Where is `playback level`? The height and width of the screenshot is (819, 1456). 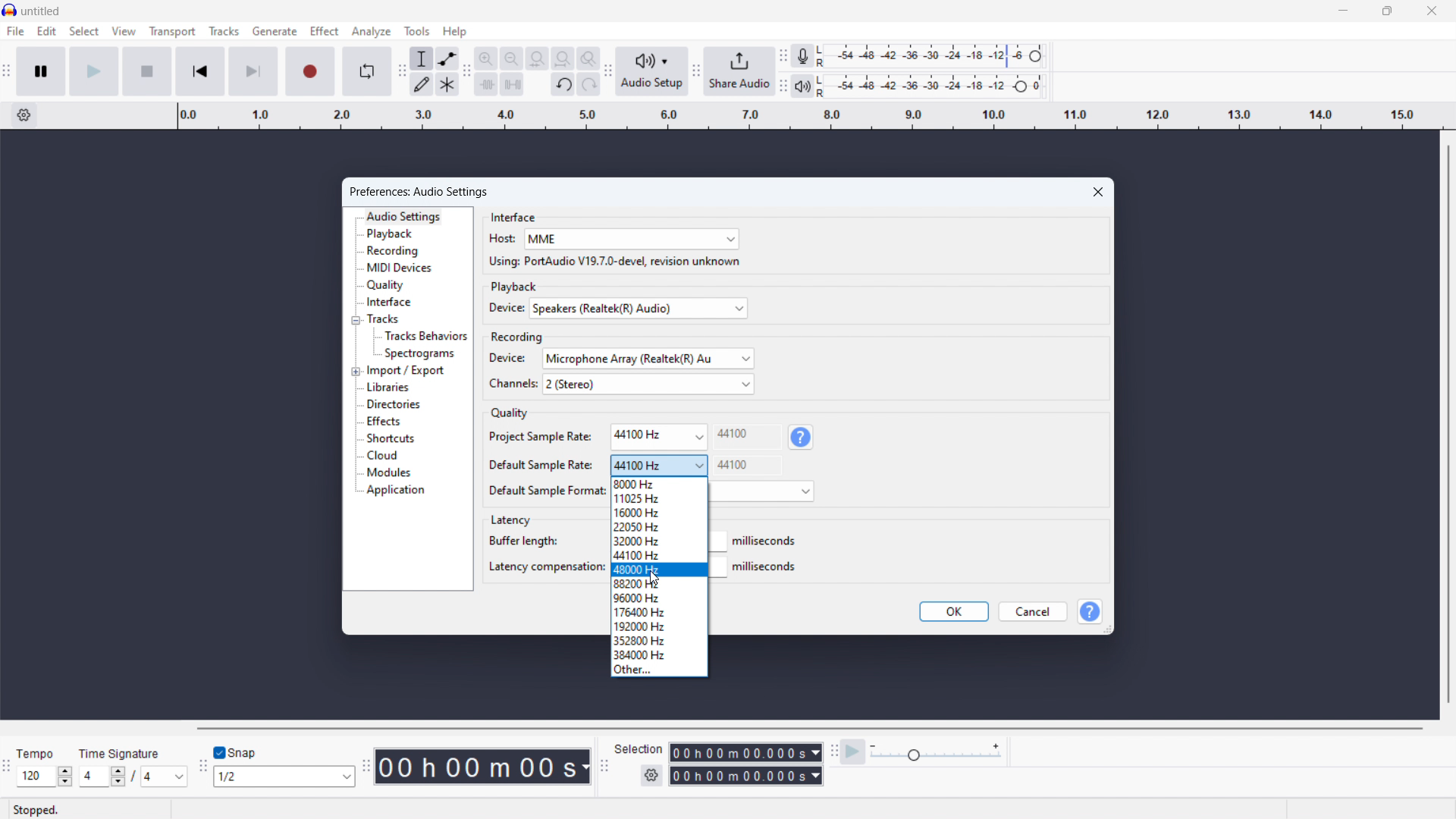
playback level is located at coordinates (935, 86).